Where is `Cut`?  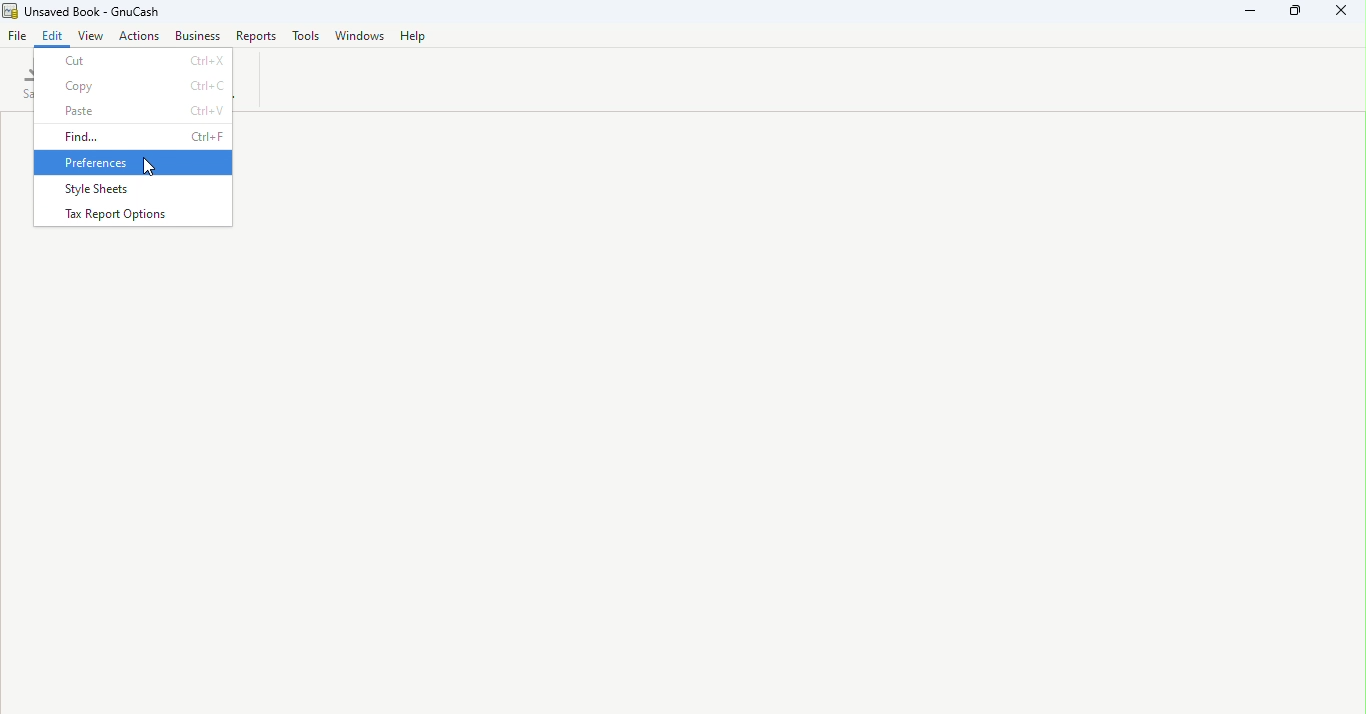
Cut is located at coordinates (136, 61).